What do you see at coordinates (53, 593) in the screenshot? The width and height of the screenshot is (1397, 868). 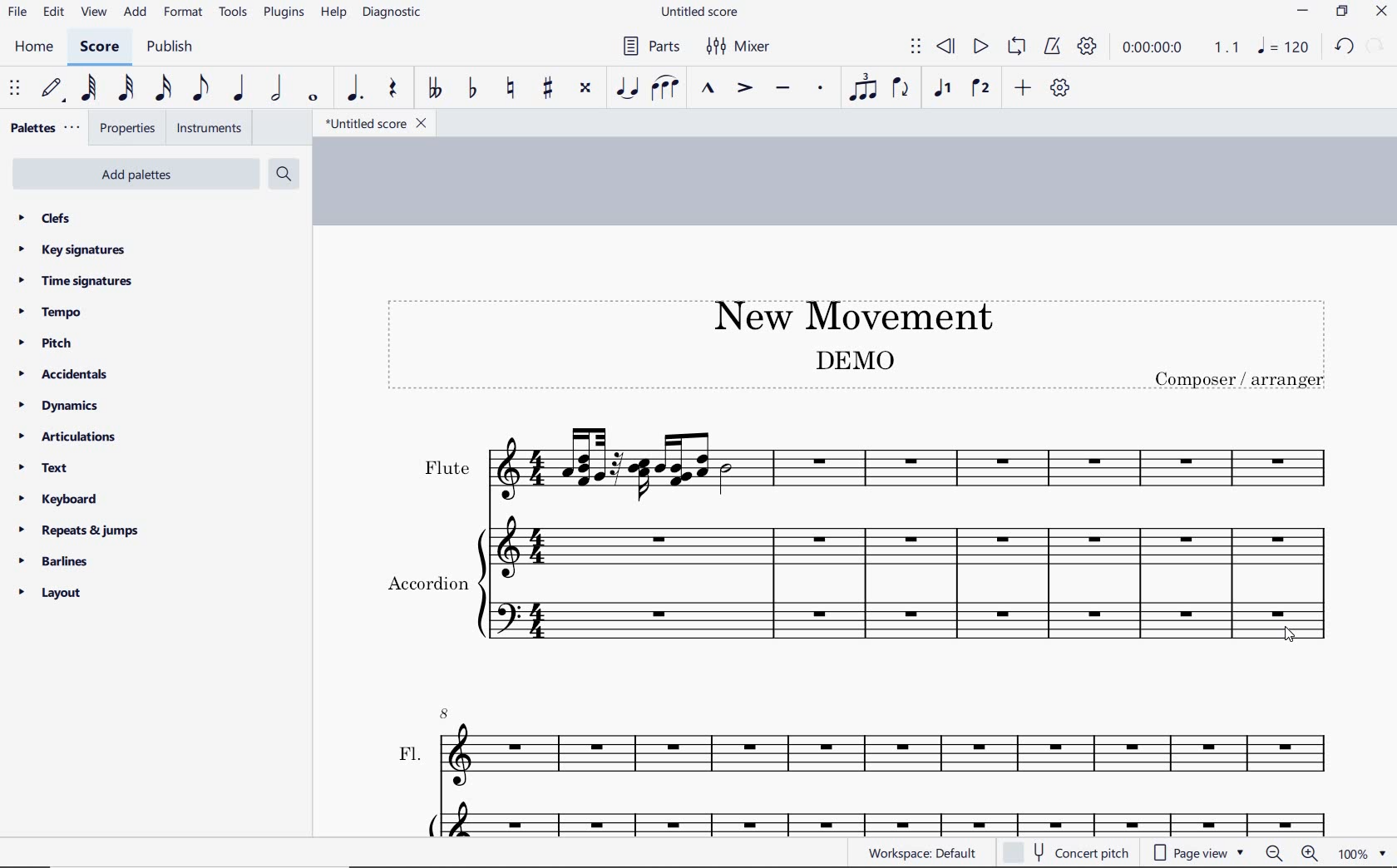 I see `layout` at bounding box center [53, 593].